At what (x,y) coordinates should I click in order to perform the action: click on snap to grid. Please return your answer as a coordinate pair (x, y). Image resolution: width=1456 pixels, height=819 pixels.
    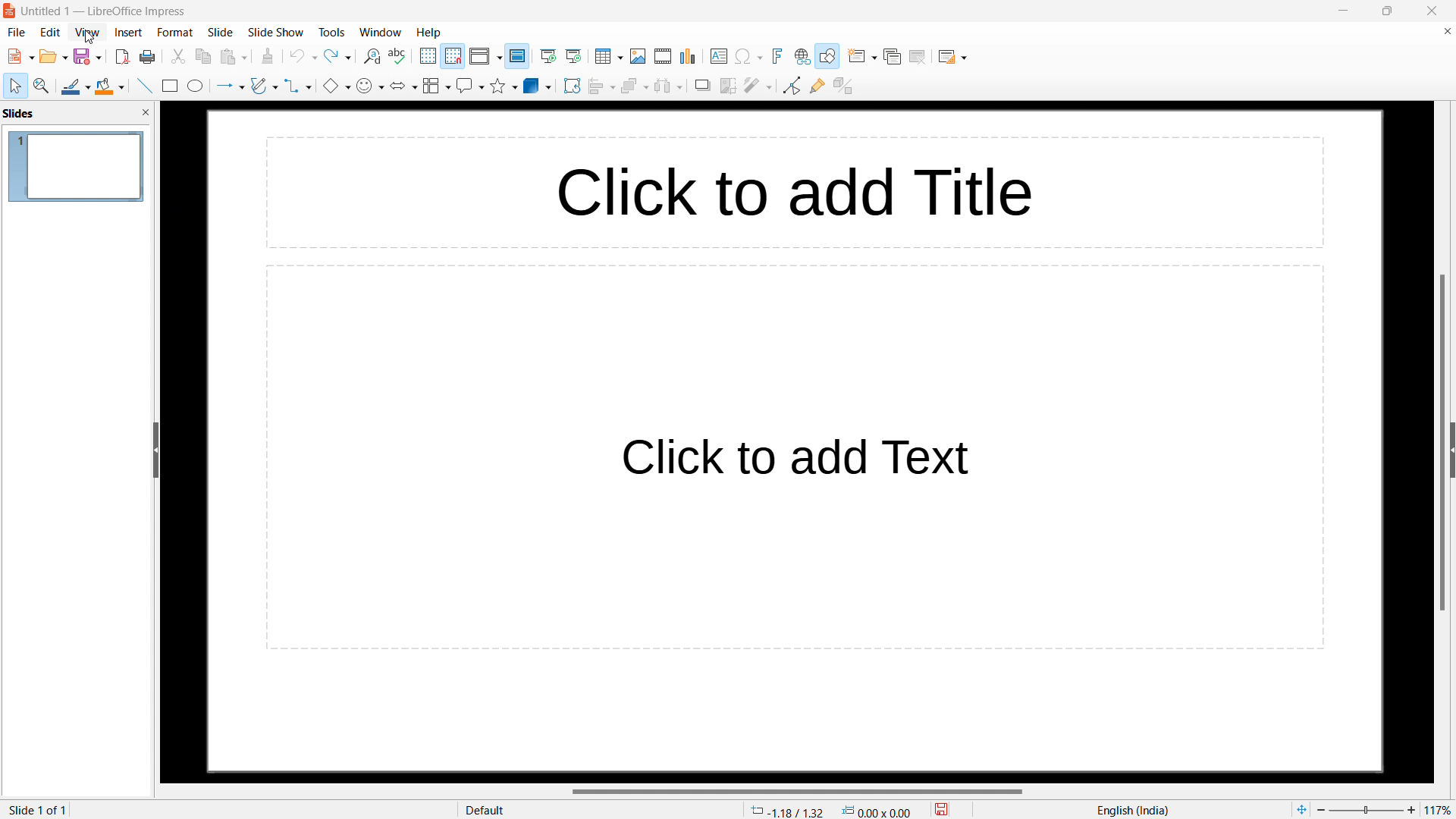
    Looking at the image, I should click on (453, 56).